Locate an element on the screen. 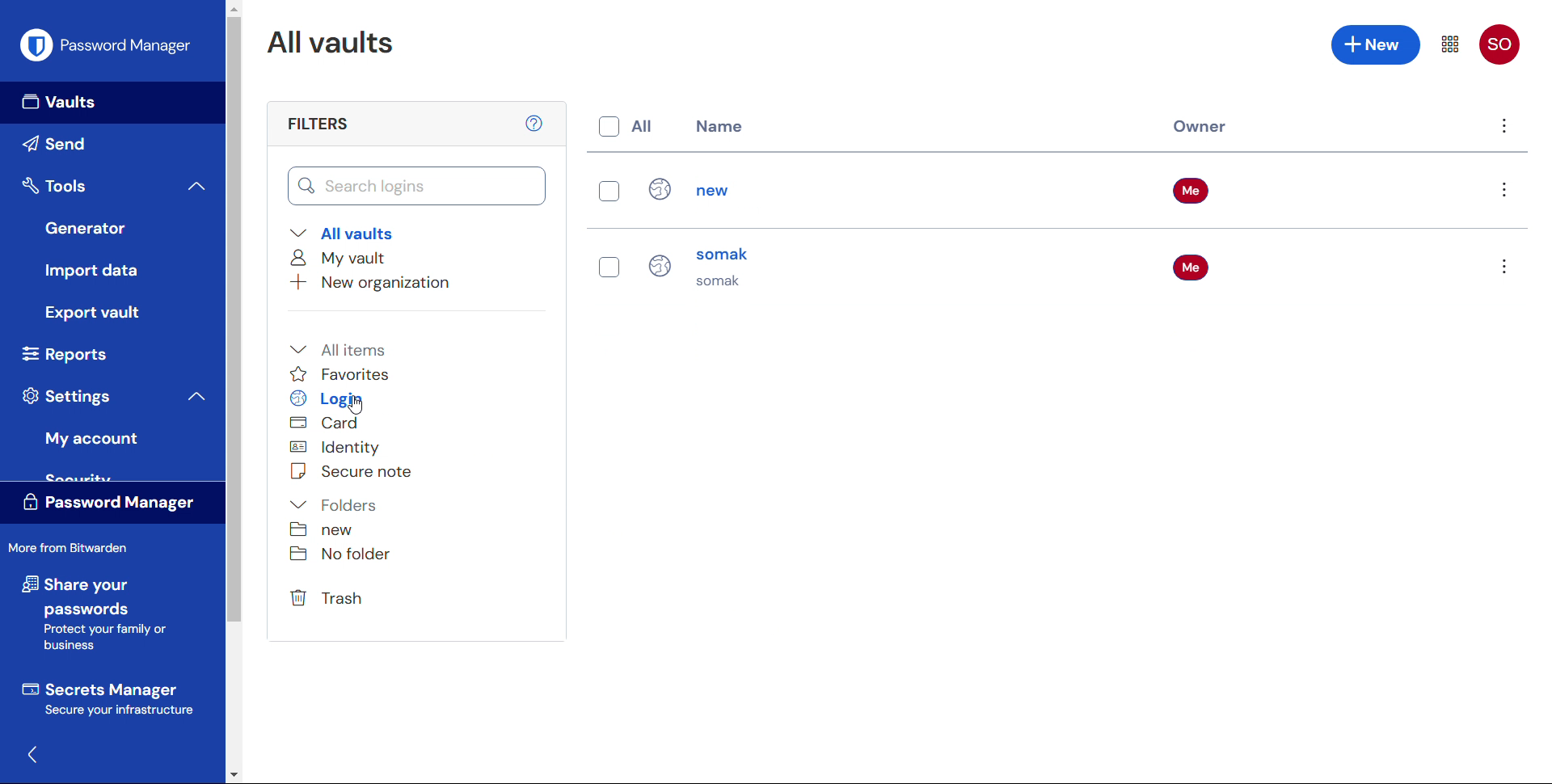  Me is located at coordinates (1192, 265).